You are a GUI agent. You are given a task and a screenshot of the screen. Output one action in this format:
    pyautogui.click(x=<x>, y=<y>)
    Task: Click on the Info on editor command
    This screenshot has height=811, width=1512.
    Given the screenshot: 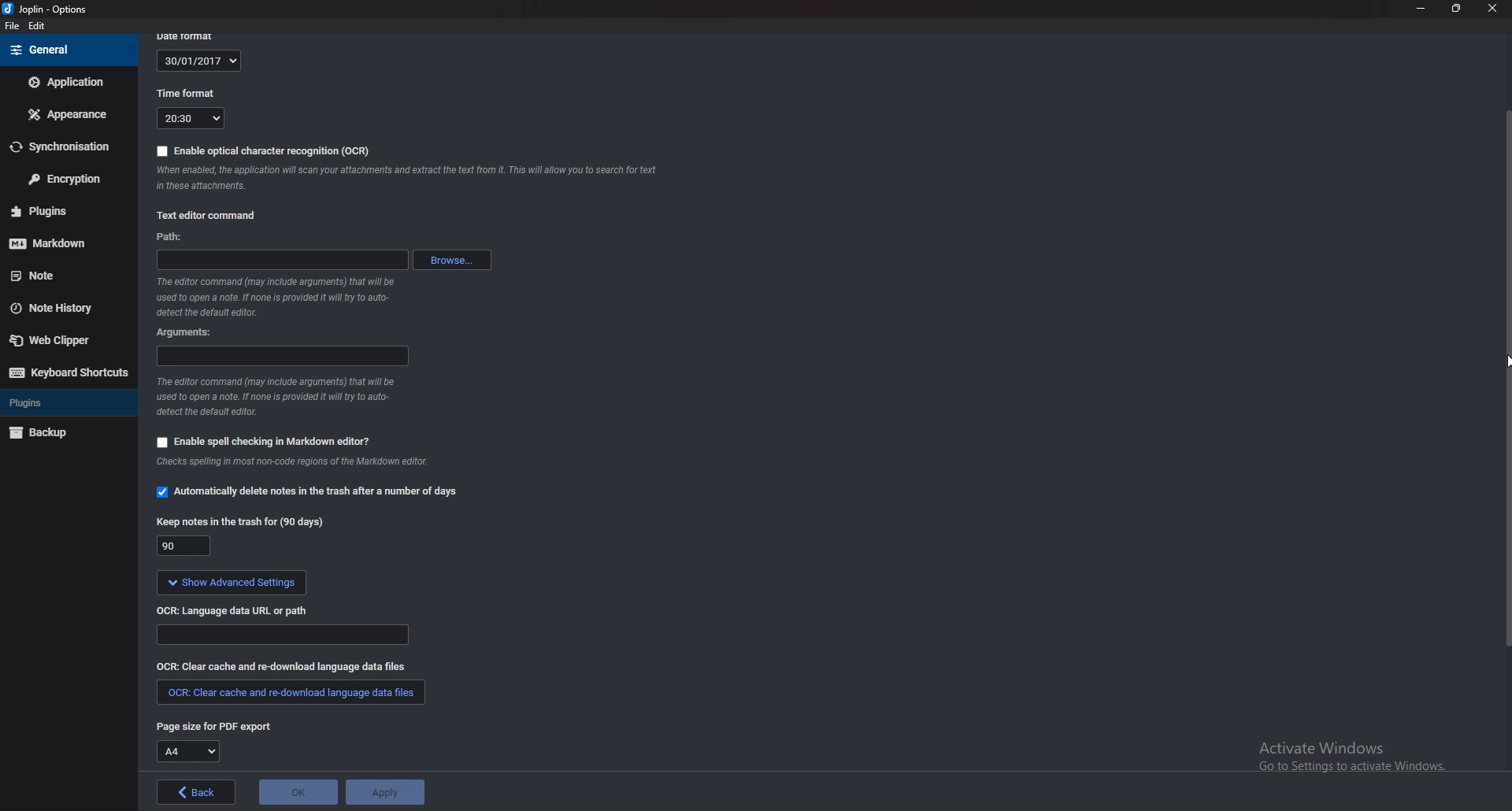 What is the action you would take?
    pyautogui.click(x=287, y=394)
    